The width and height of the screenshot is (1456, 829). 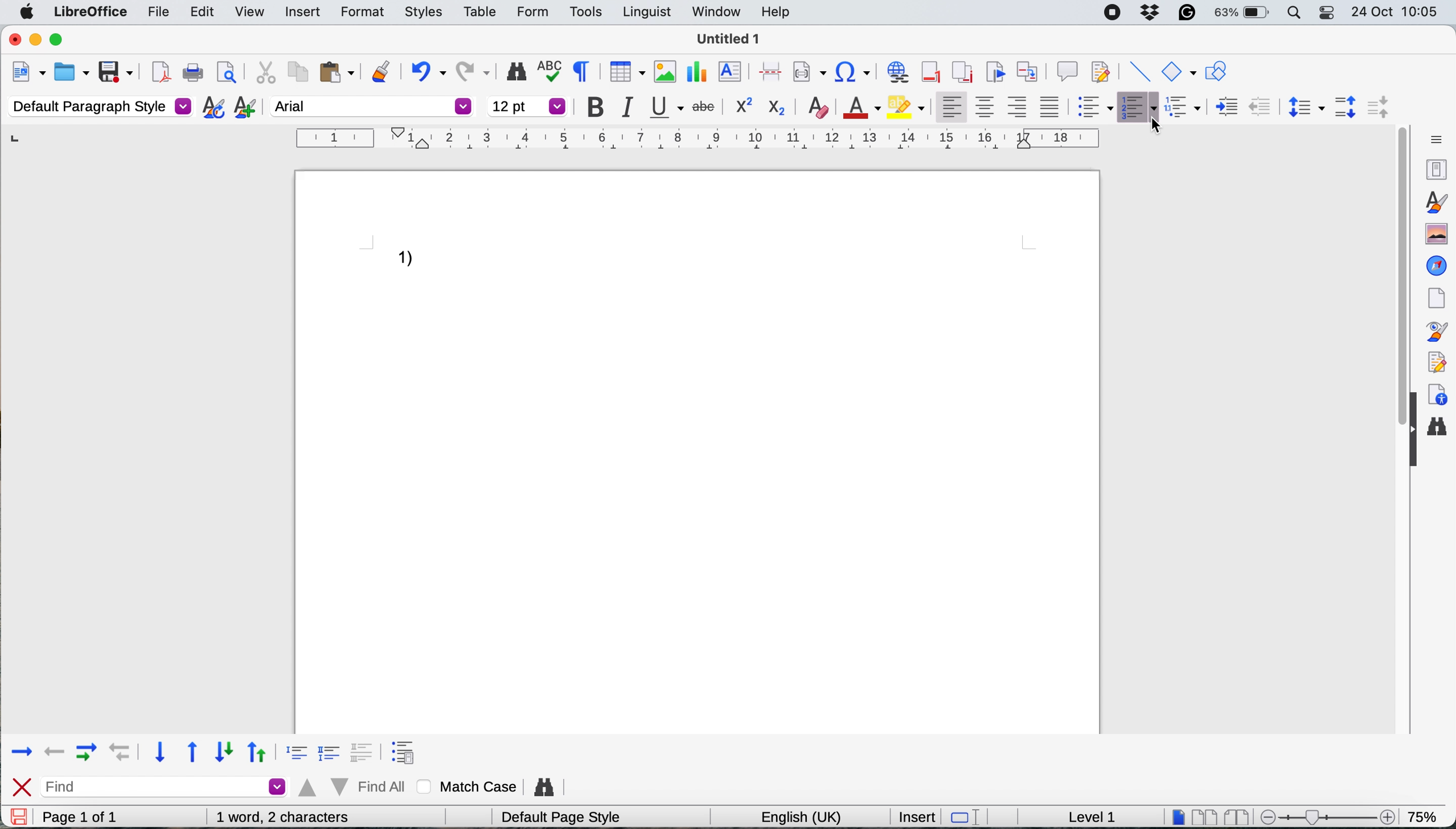 I want to click on formt, so click(x=360, y=13).